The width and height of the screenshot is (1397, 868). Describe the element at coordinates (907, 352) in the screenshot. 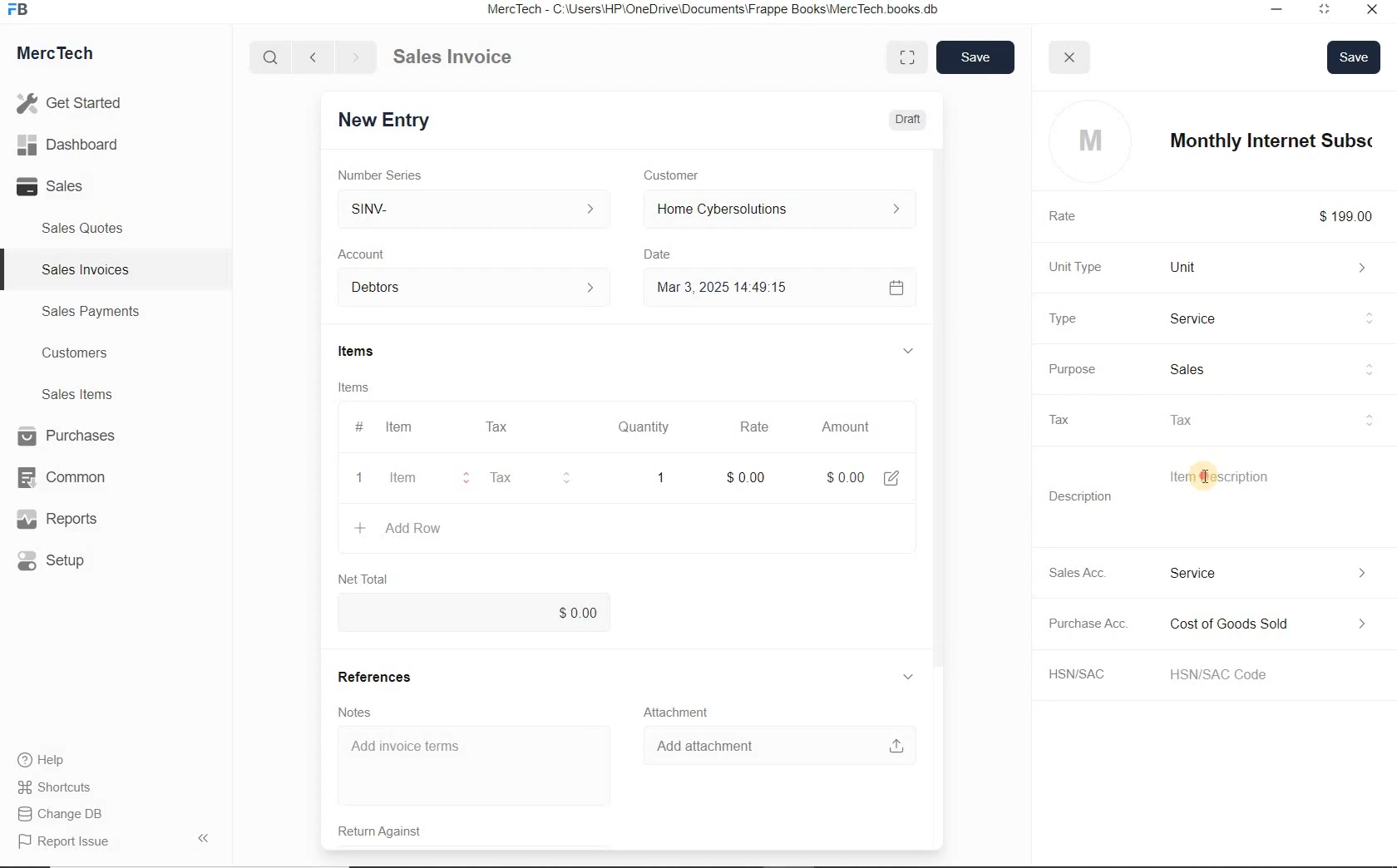

I see `hide sub menu` at that location.